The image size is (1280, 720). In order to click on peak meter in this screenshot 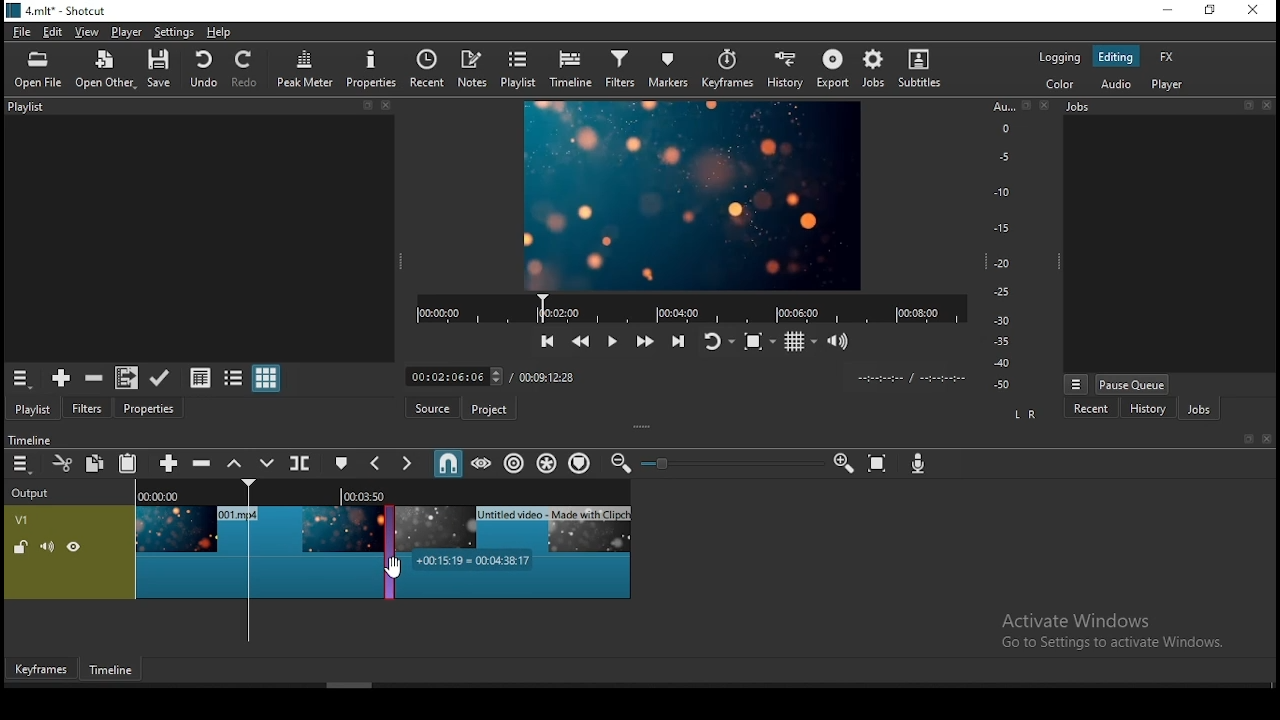, I will do `click(307, 68)`.